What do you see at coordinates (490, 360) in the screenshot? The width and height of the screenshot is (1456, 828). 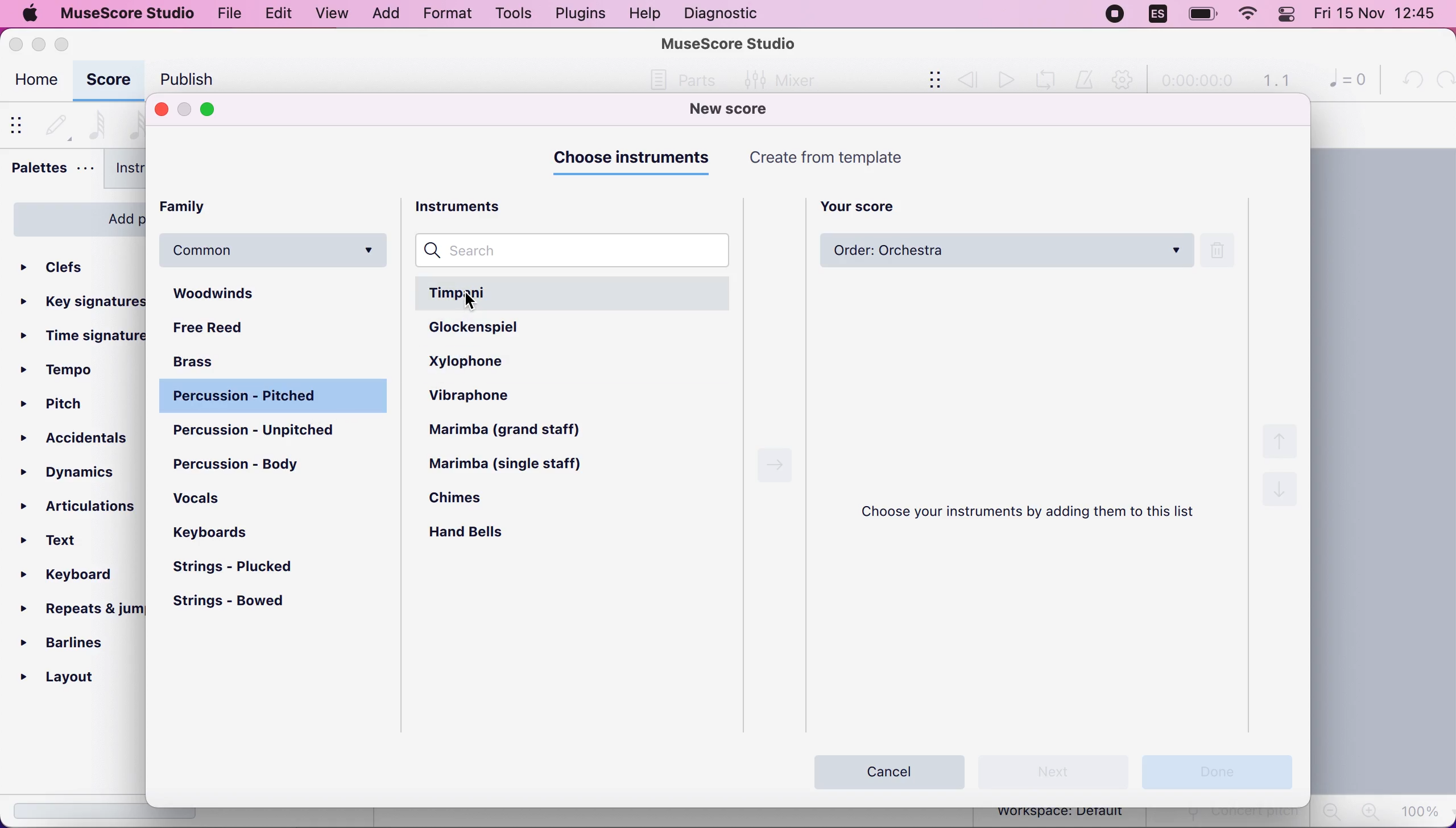 I see `xylophone` at bounding box center [490, 360].